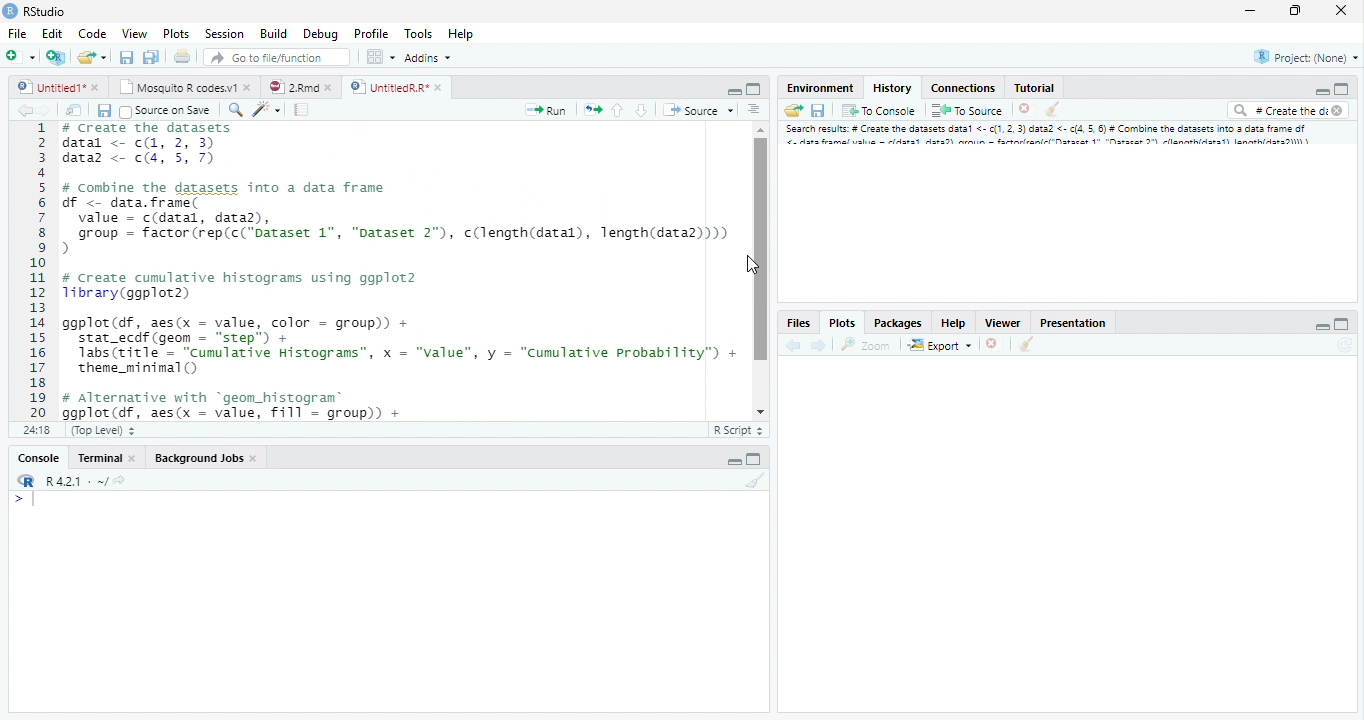  Describe the element at coordinates (42, 457) in the screenshot. I see `Console` at that location.